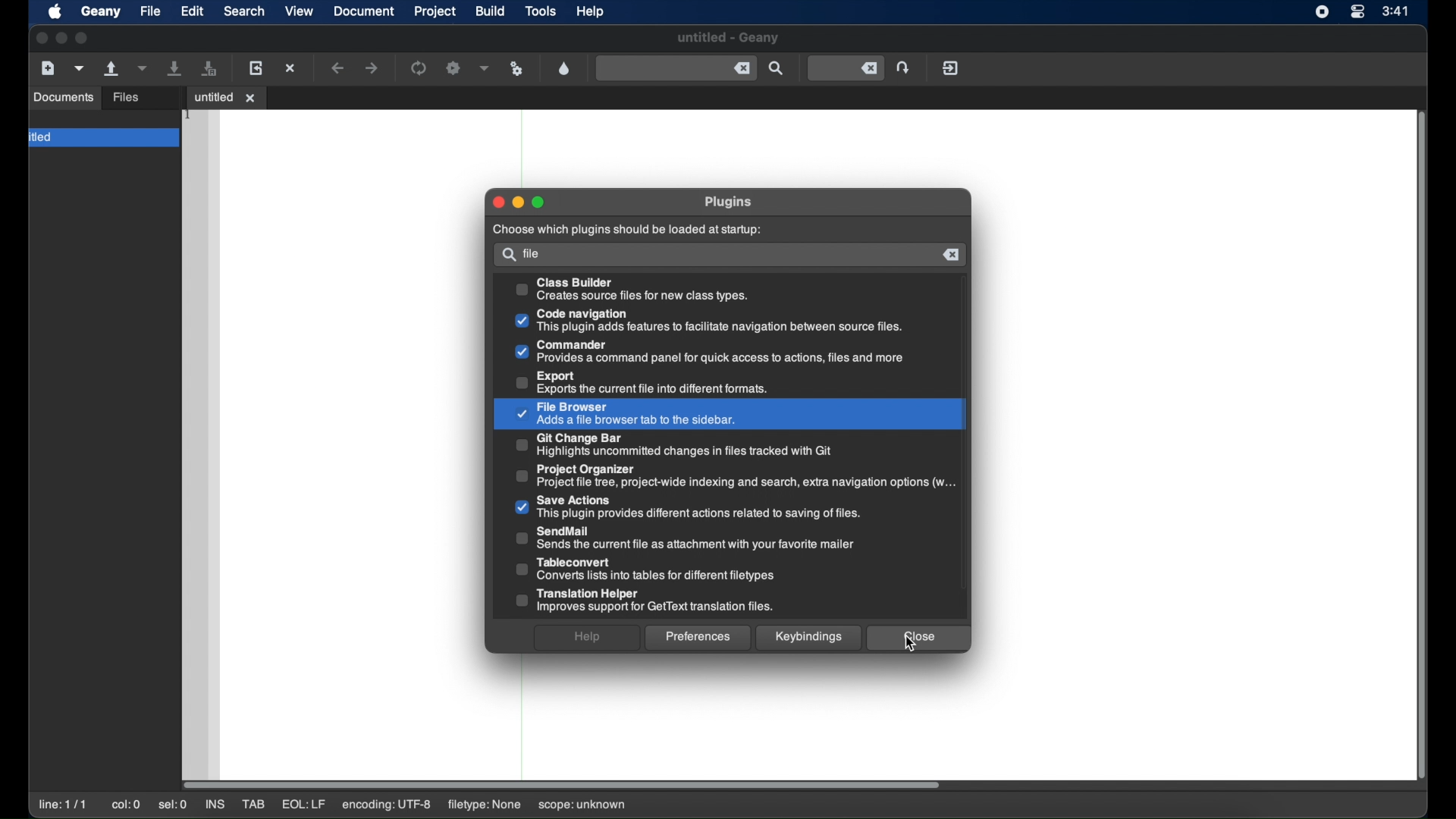 This screenshot has width=1456, height=819. Describe the element at coordinates (485, 68) in the screenshot. I see `choose more build actions` at that location.